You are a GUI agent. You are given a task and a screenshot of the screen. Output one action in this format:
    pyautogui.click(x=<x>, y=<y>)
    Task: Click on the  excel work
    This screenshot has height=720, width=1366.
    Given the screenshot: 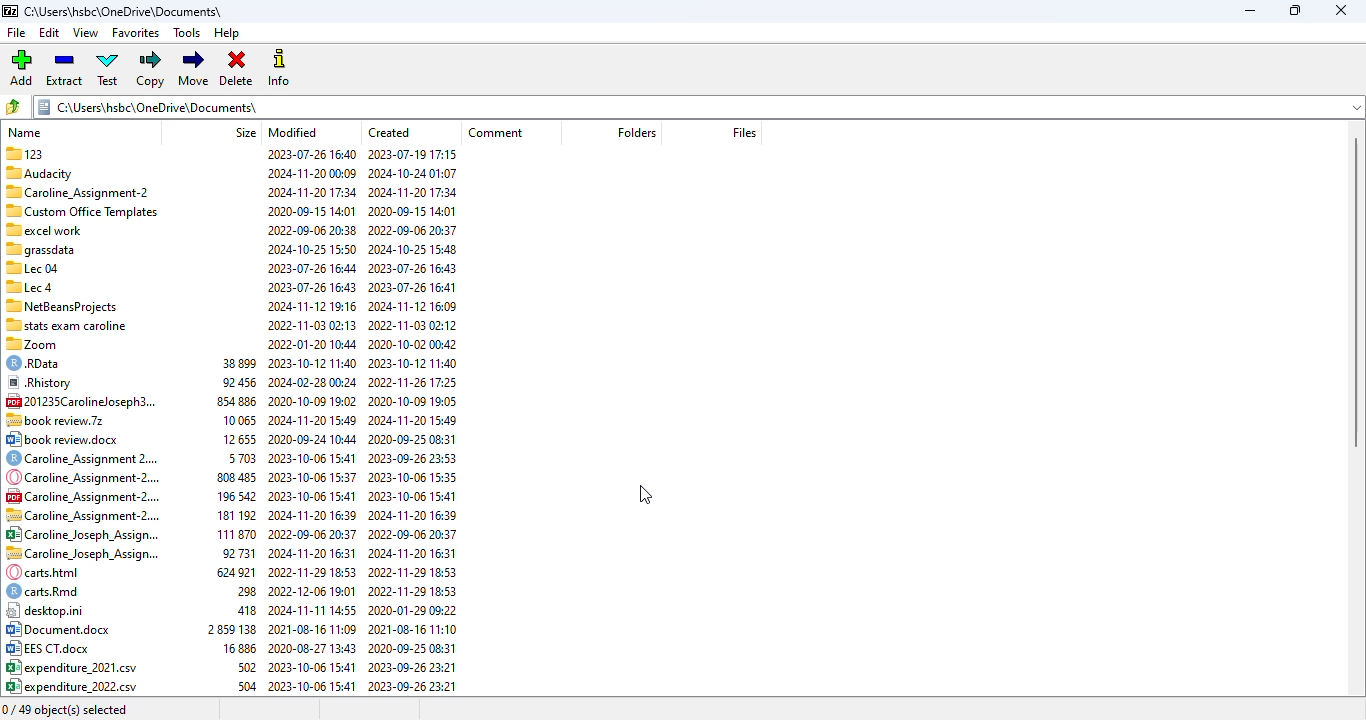 What is the action you would take?
    pyautogui.click(x=45, y=228)
    